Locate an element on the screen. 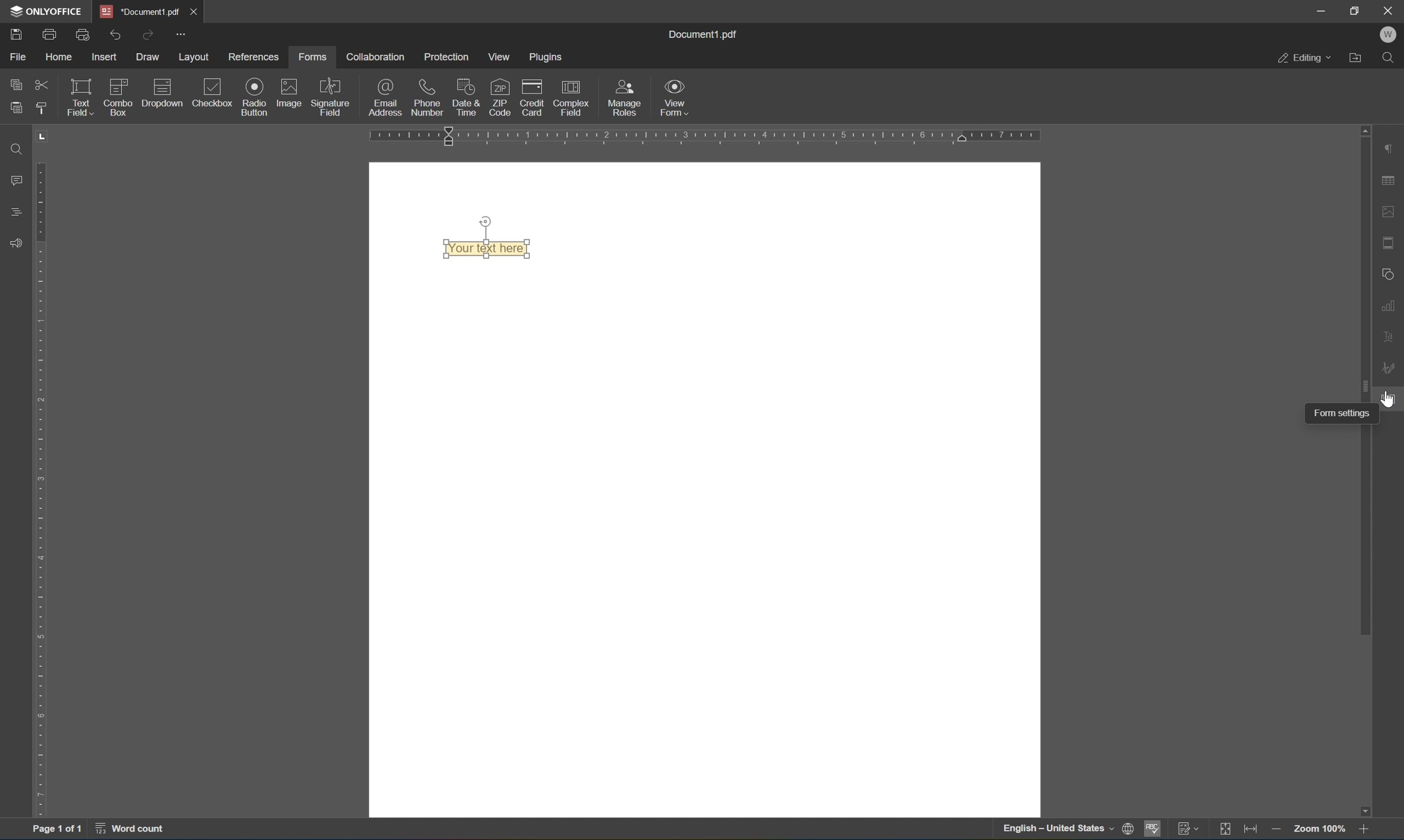 This screenshot has width=1404, height=840. view form is located at coordinates (675, 97).